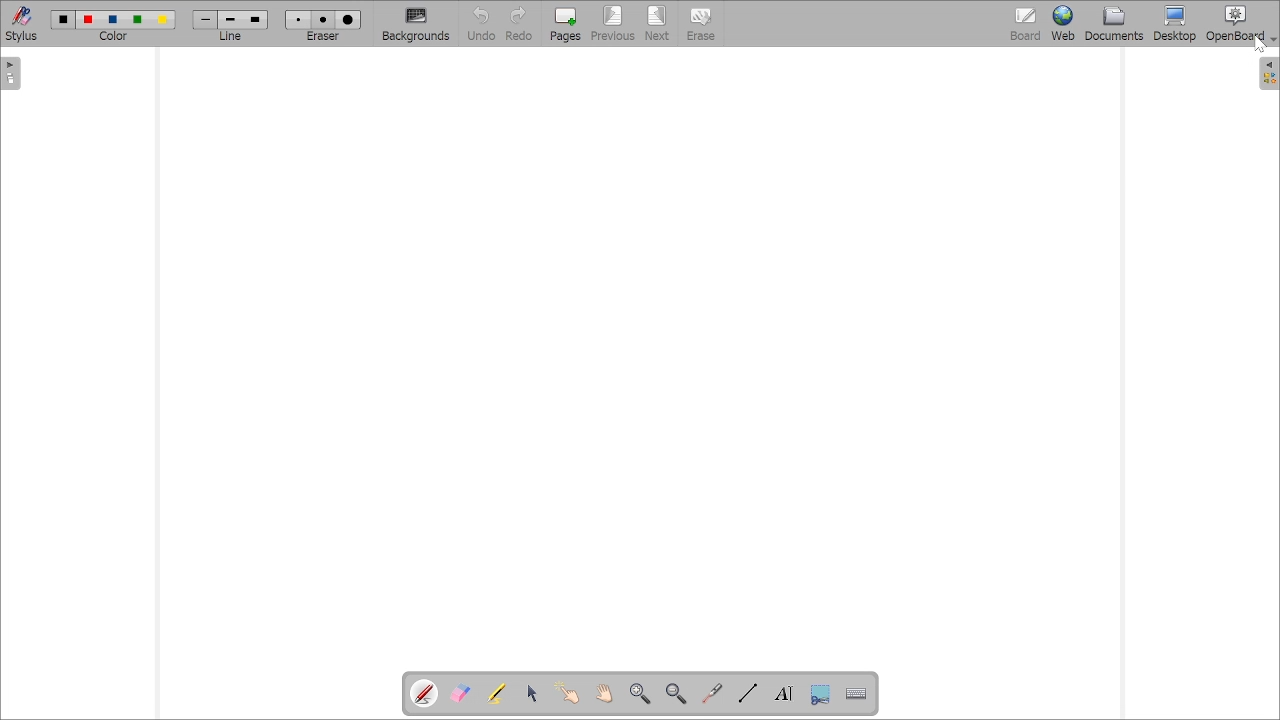 The width and height of the screenshot is (1280, 720). What do you see at coordinates (255, 20) in the screenshot?
I see `line3` at bounding box center [255, 20].